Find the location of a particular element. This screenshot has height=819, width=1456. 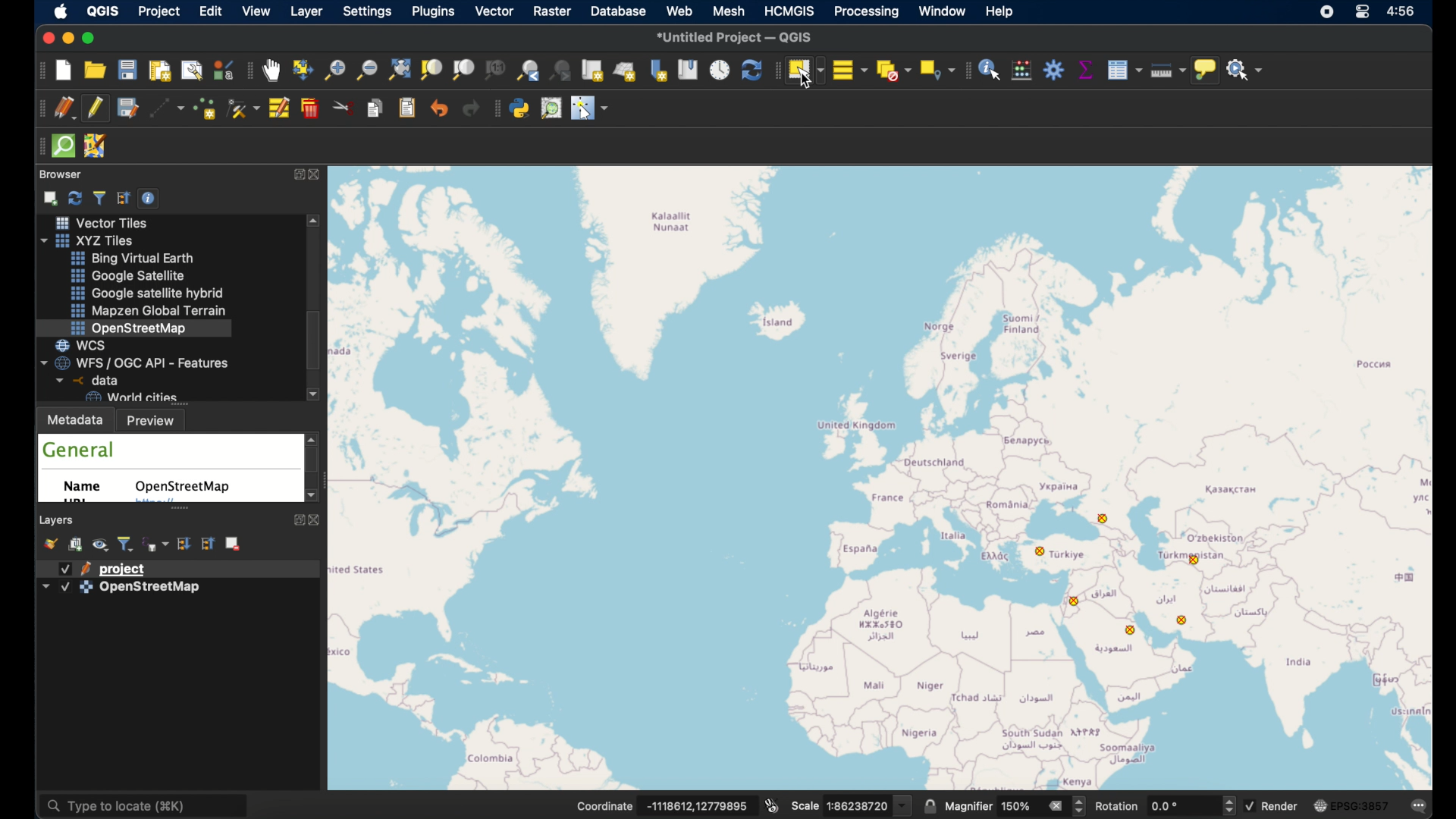

measure line is located at coordinates (1164, 69).